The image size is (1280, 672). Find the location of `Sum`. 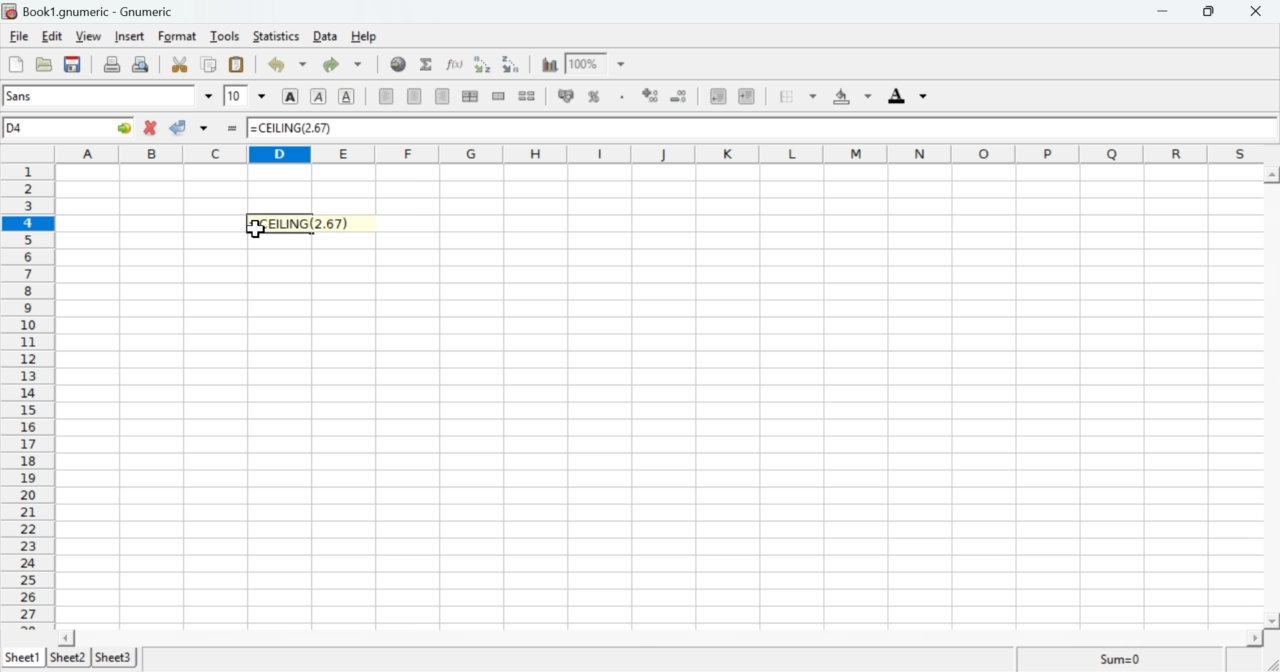

Sum is located at coordinates (428, 65).